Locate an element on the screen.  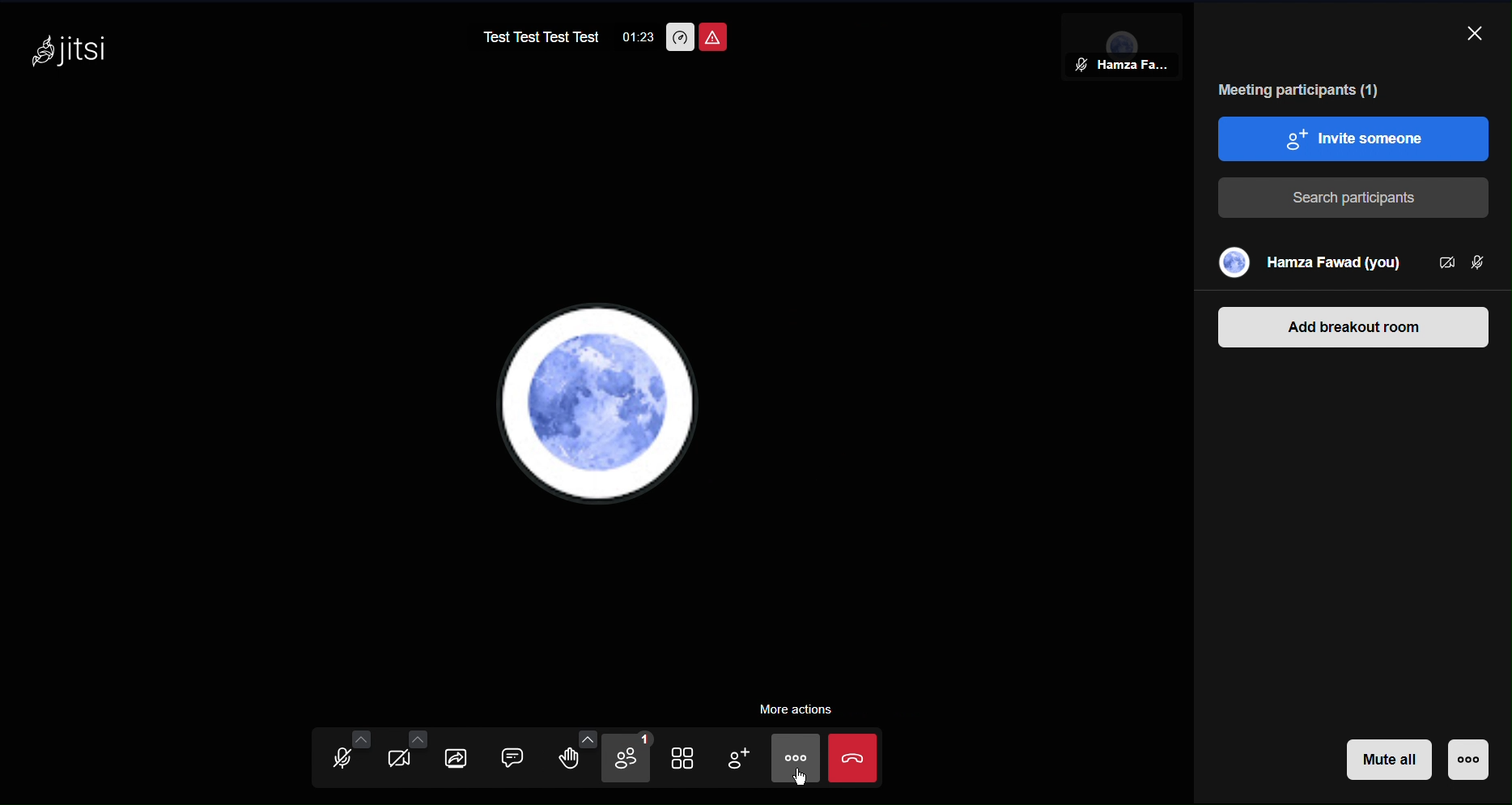
End Call is located at coordinates (854, 760).